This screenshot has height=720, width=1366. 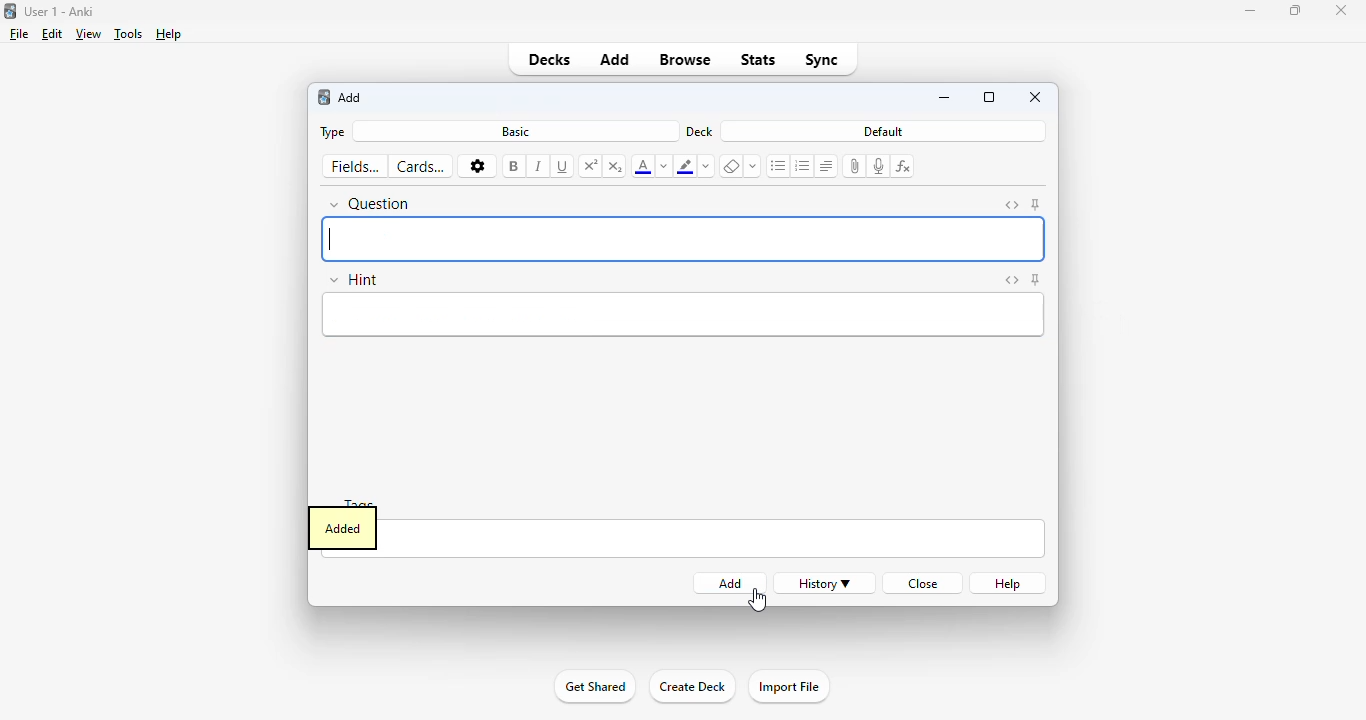 What do you see at coordinates (590, 167) in the screenshot?
I see `superscript` at bounding box center [590, 167].